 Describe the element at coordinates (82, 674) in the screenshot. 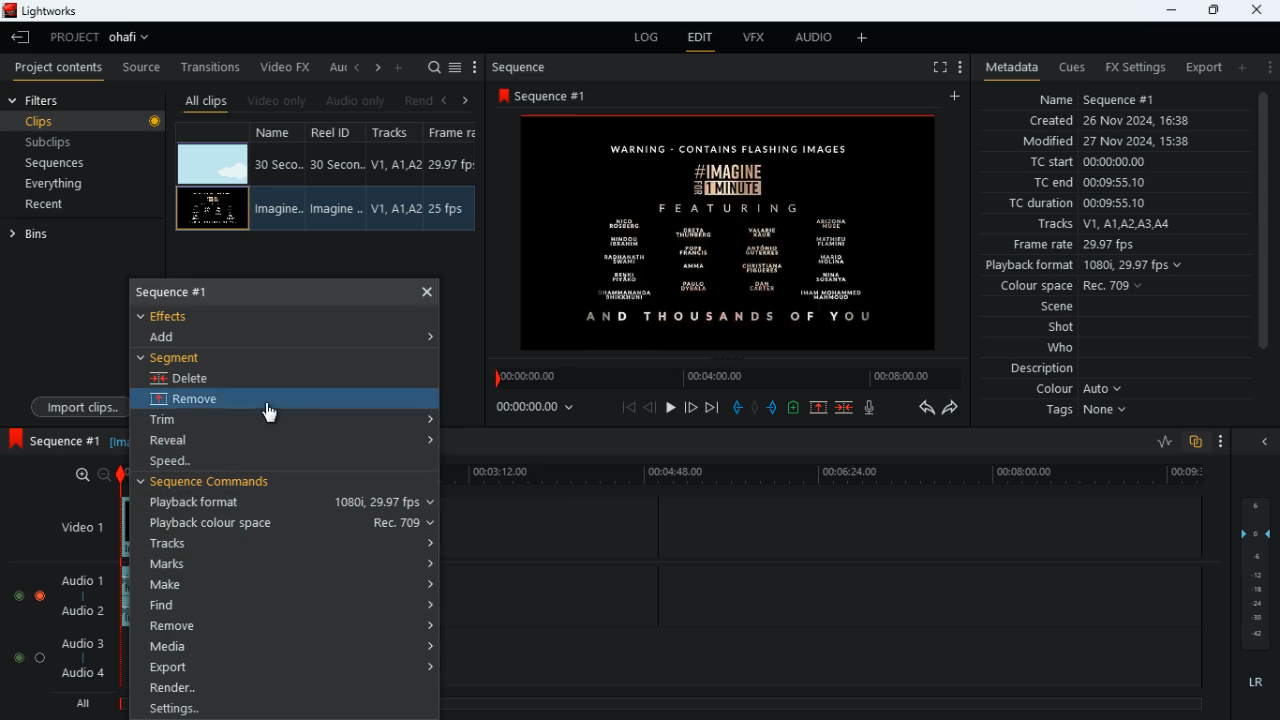

I see `Audio 4` at that location.